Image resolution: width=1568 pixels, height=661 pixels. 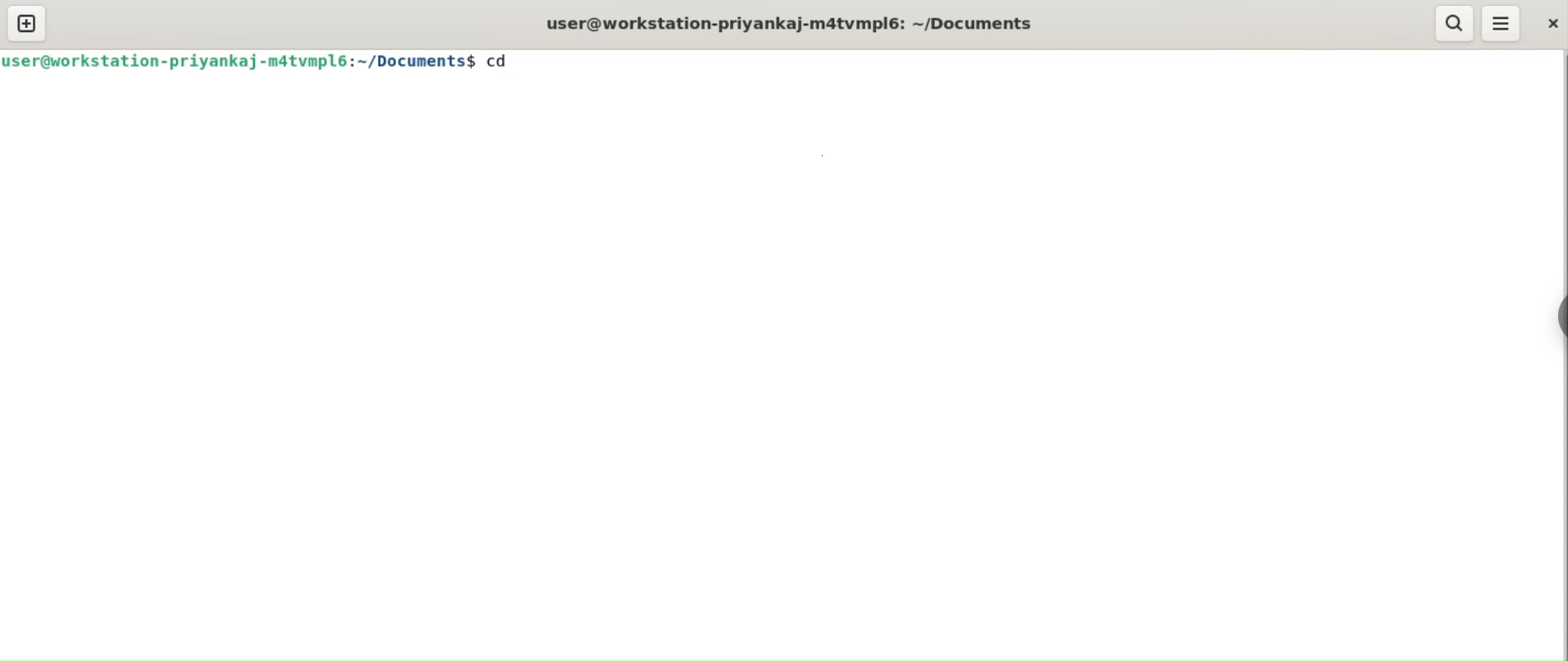 I want to click on cd, so click(x=505, y=59).